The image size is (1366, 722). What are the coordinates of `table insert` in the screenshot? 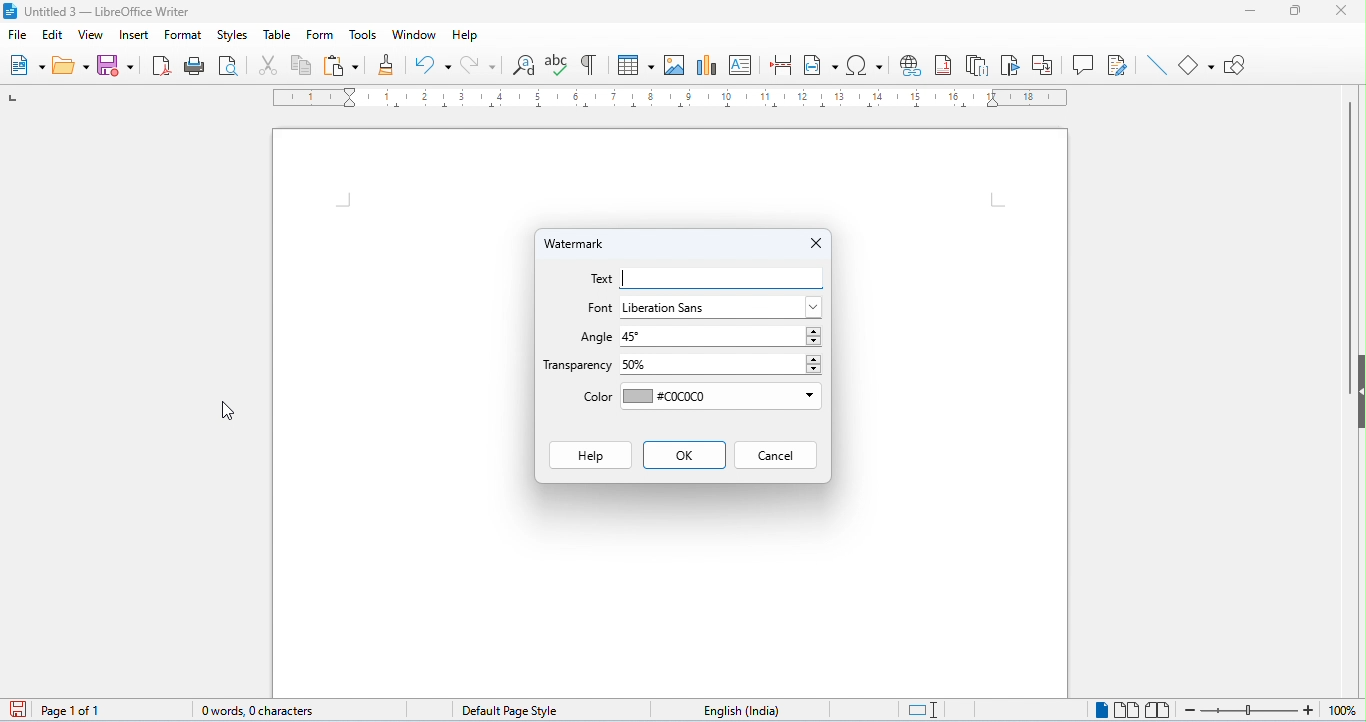 It's located at (633, 62).